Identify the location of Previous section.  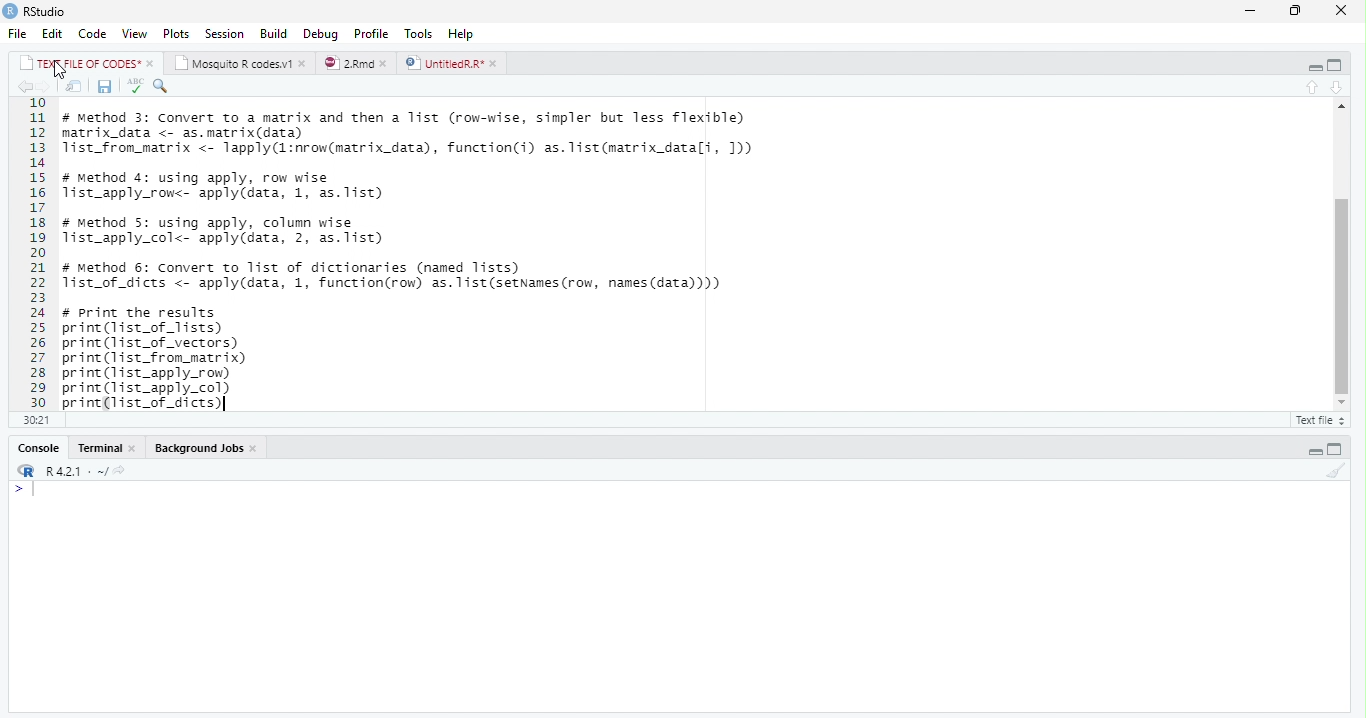
(1337, 87).